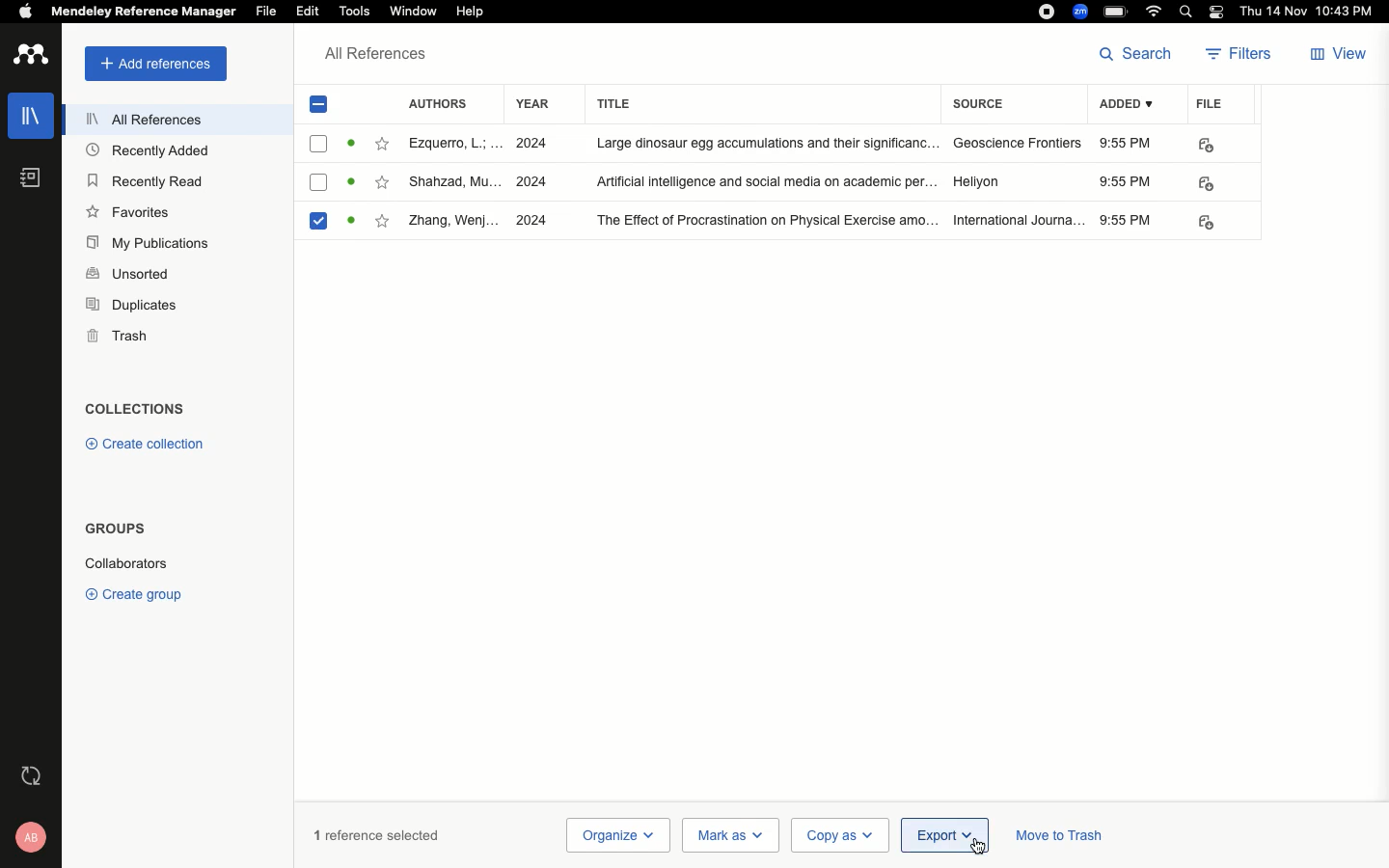 This screenshot has height=868, width=1389. I want to click on Copy as, so click(838, 835).